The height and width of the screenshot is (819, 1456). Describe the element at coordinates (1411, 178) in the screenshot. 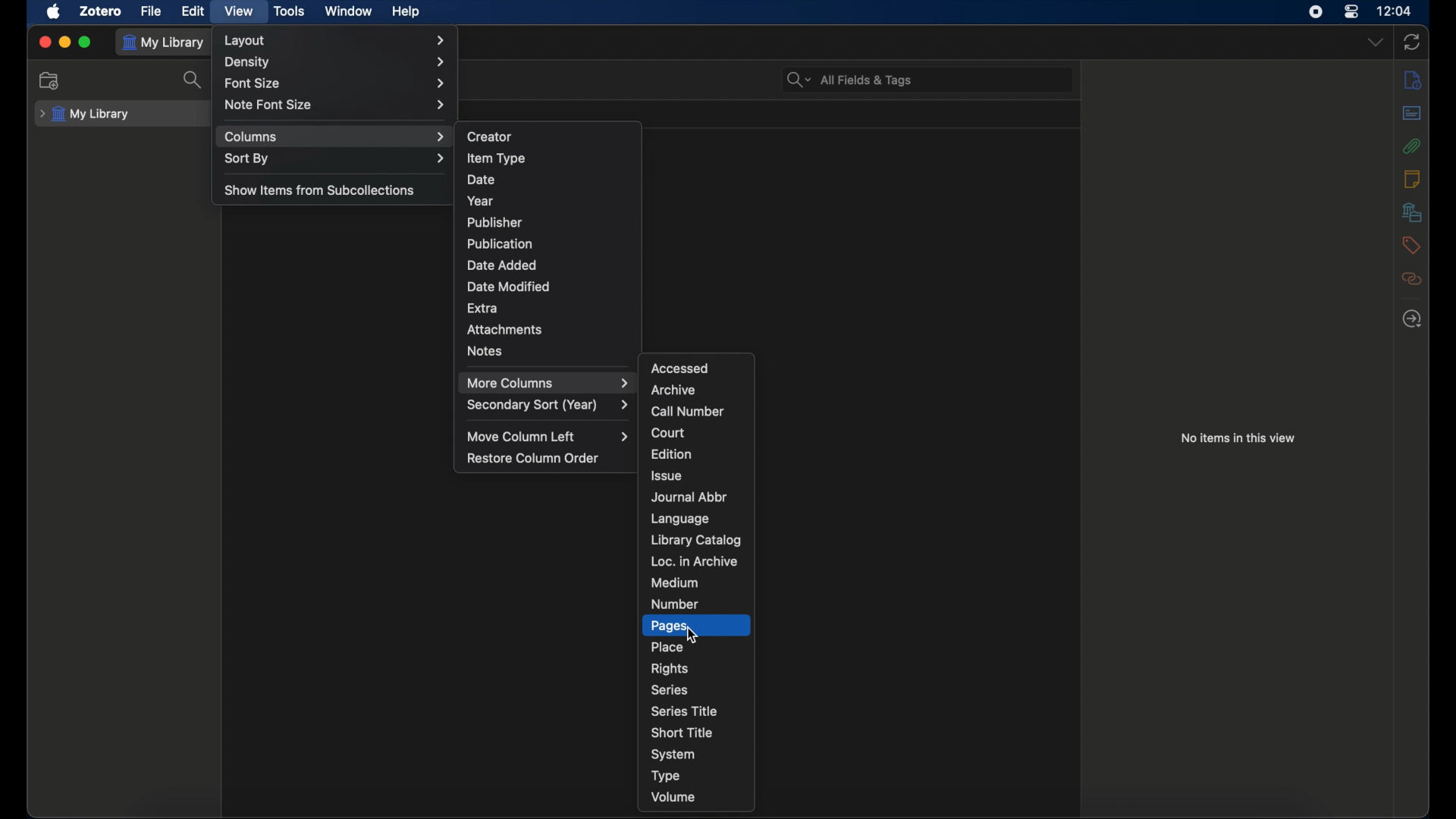

I see `notes` at that location.